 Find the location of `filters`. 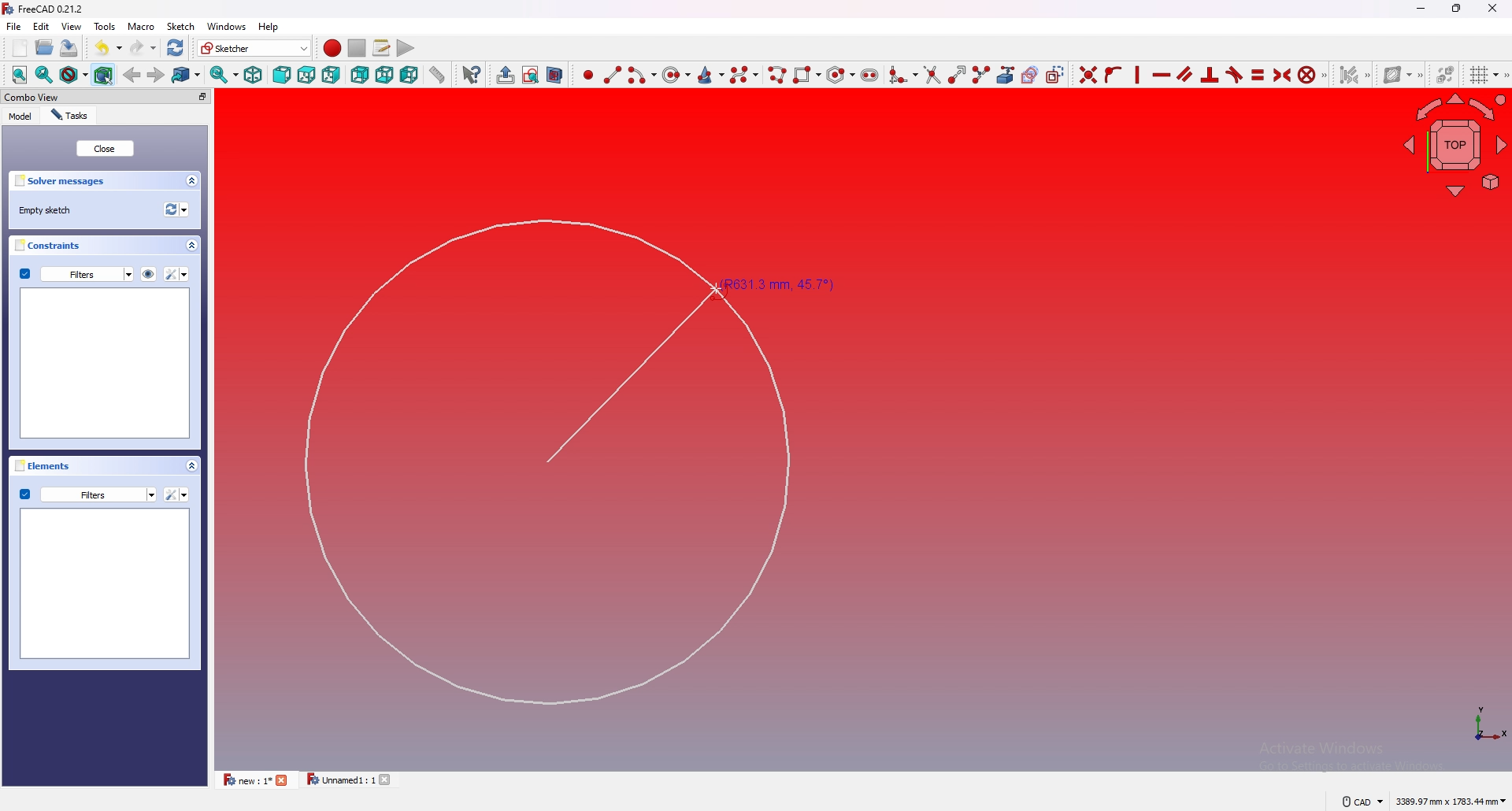

filters is located at coordinates (87, 494).